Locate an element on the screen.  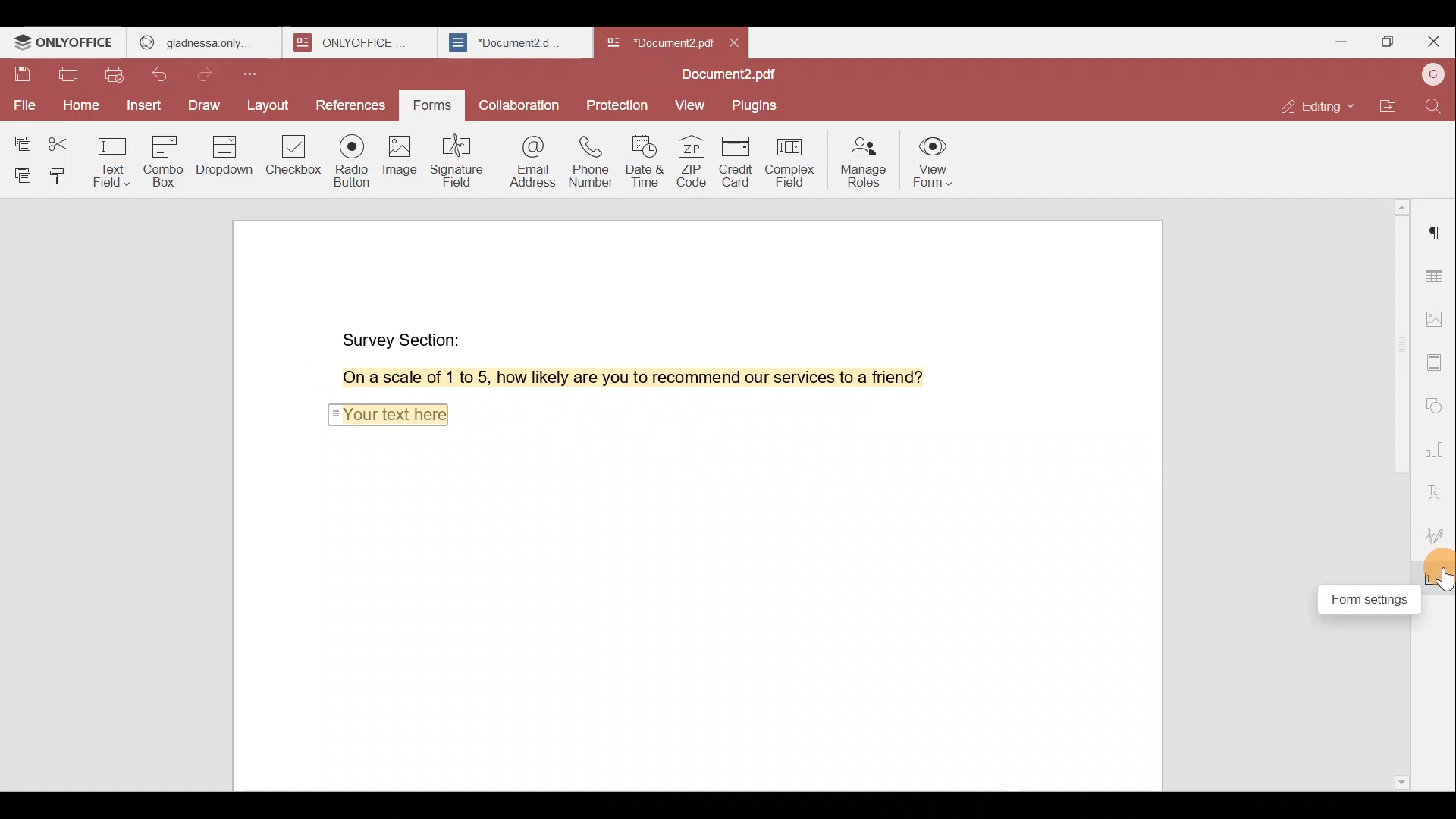
View is located at coordinates (690, 106).